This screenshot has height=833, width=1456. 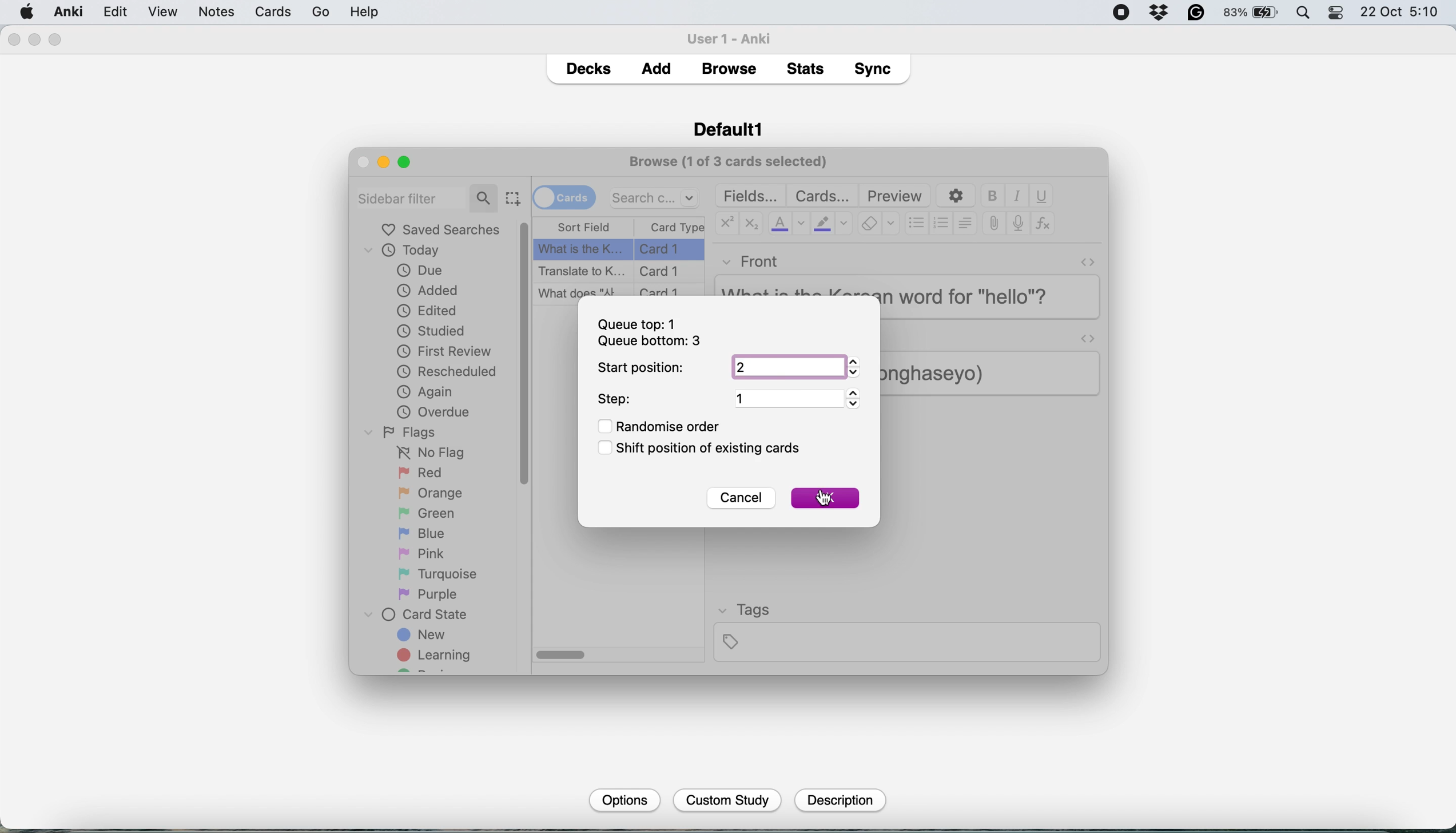 What do you see at coordinates (917, 224) in the screenshot?
I see `bullet list` at bounding box center [917, 224].